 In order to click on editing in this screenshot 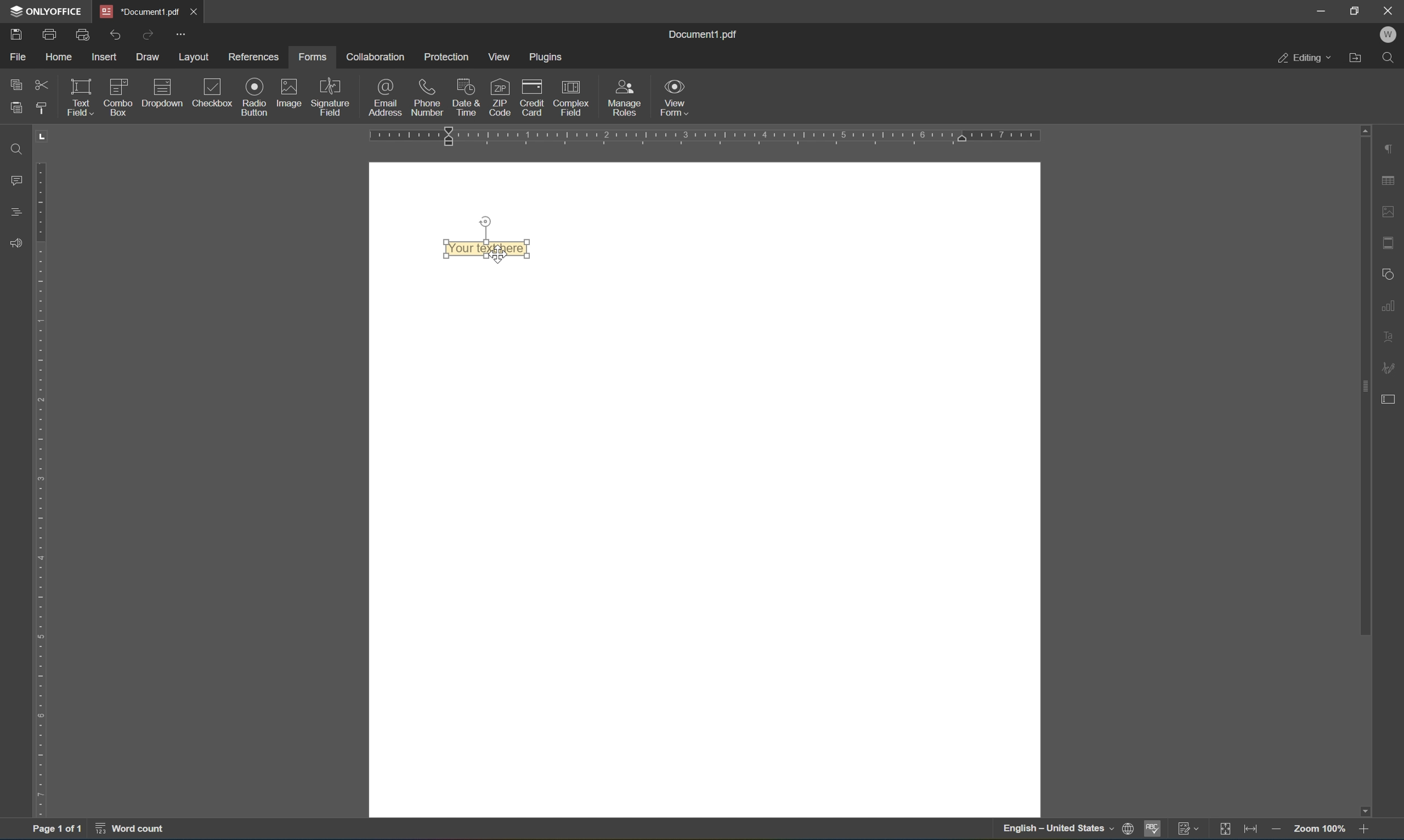, I will do `click(1302, 58)`.